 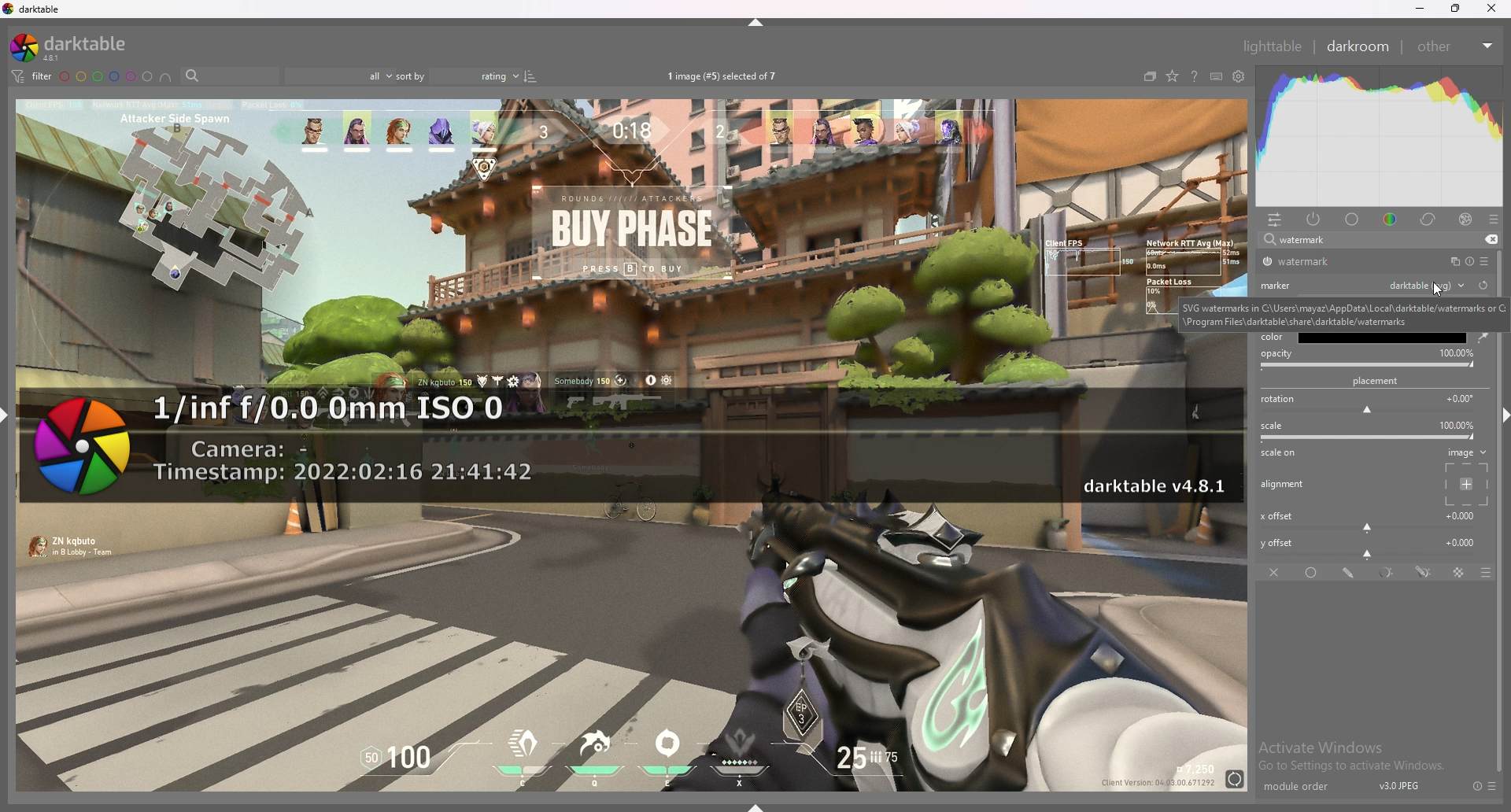 I want to click on color, so click(x=1393, y=218).